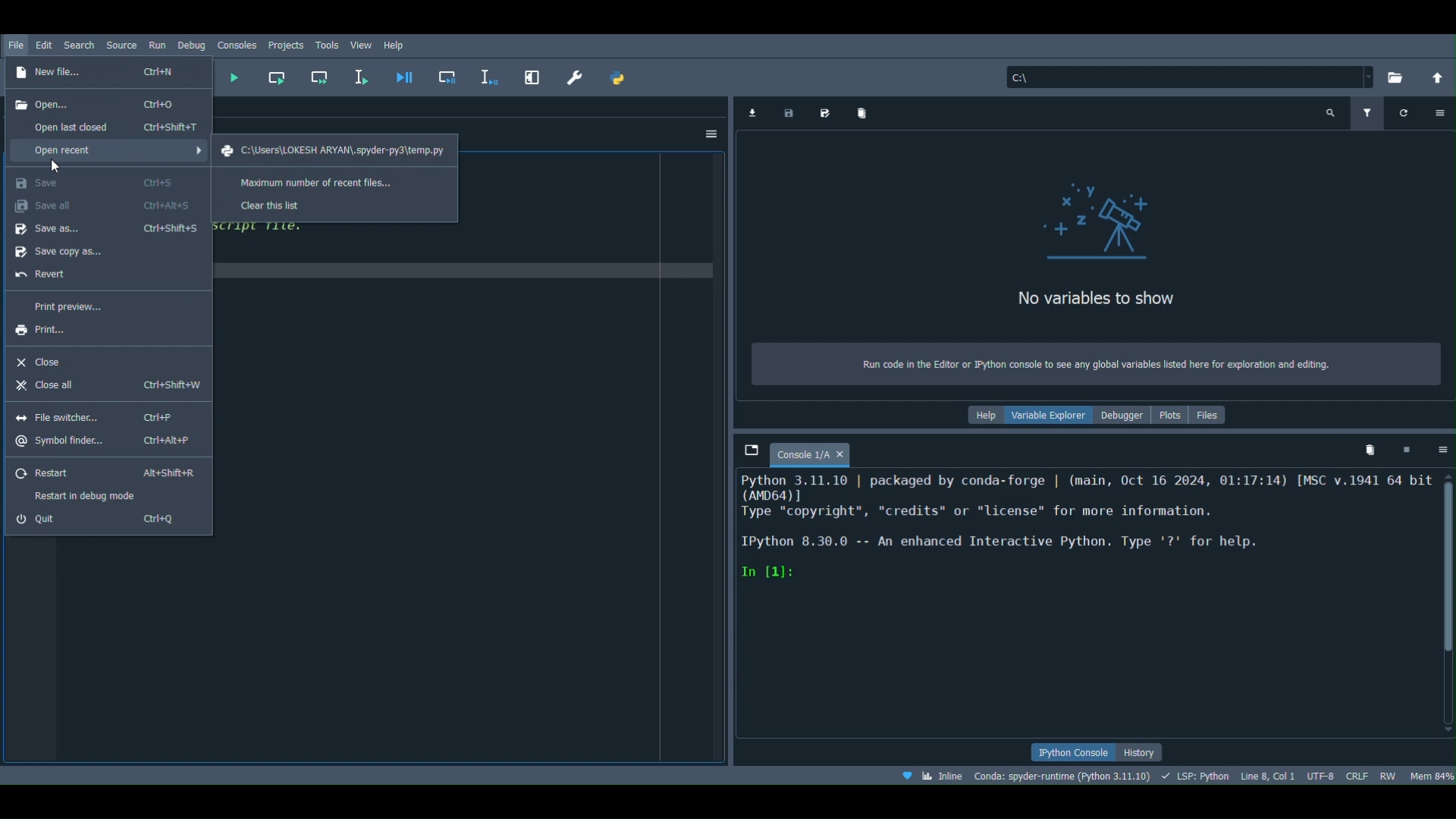  I want to click on Options, so click(1442, 453).